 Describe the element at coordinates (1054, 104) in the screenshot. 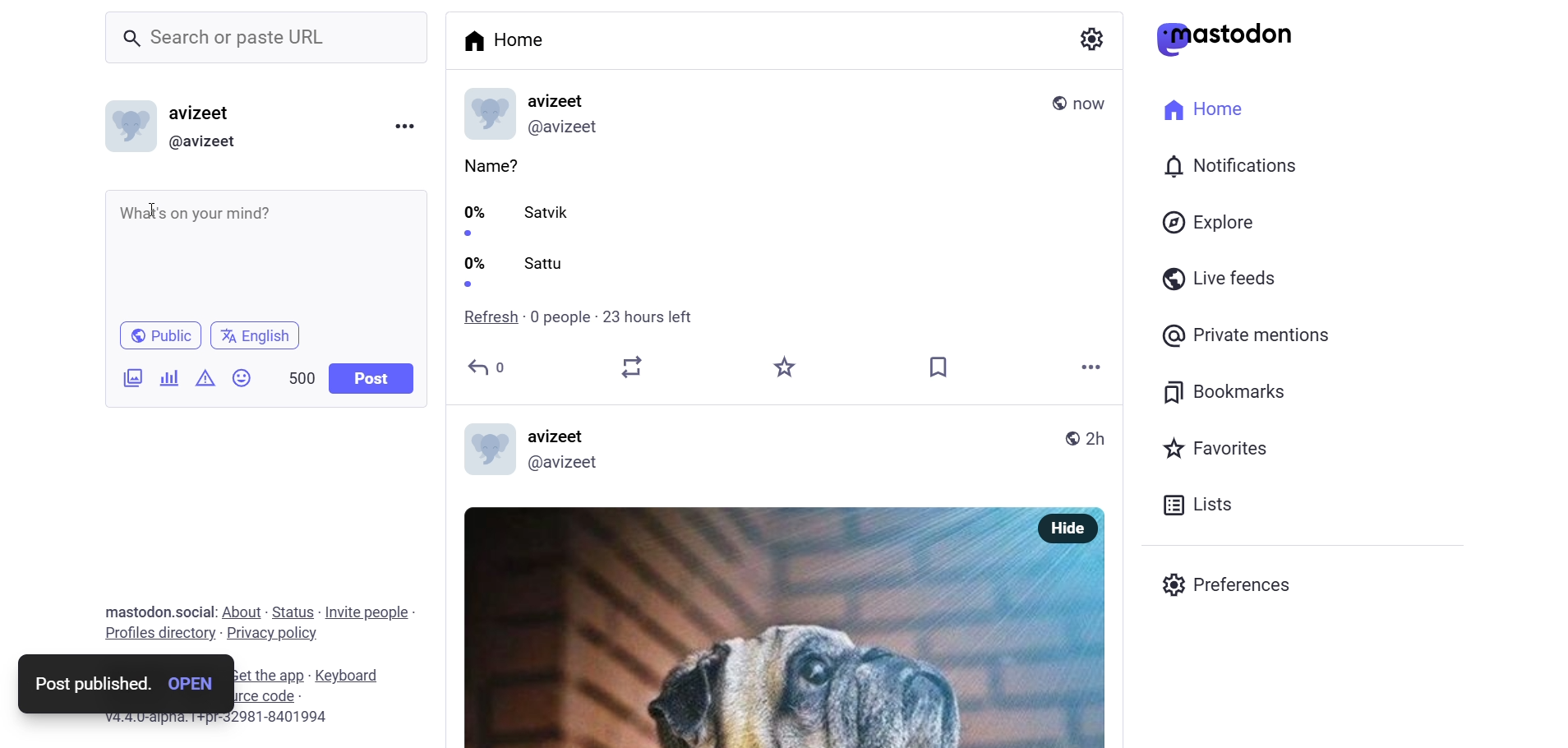

I see `public` at that location.